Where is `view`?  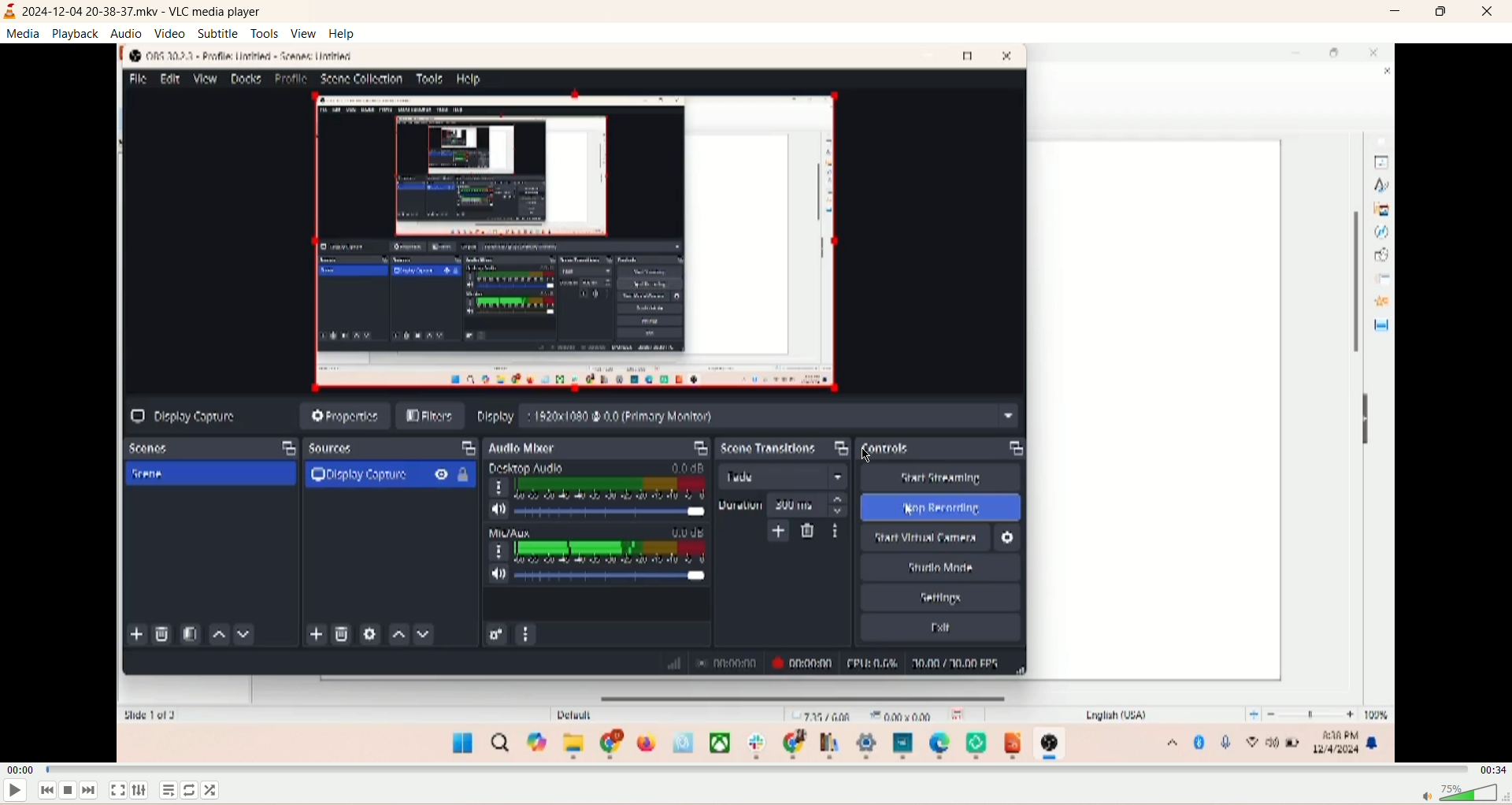 view is located at coordinates (303, 34).